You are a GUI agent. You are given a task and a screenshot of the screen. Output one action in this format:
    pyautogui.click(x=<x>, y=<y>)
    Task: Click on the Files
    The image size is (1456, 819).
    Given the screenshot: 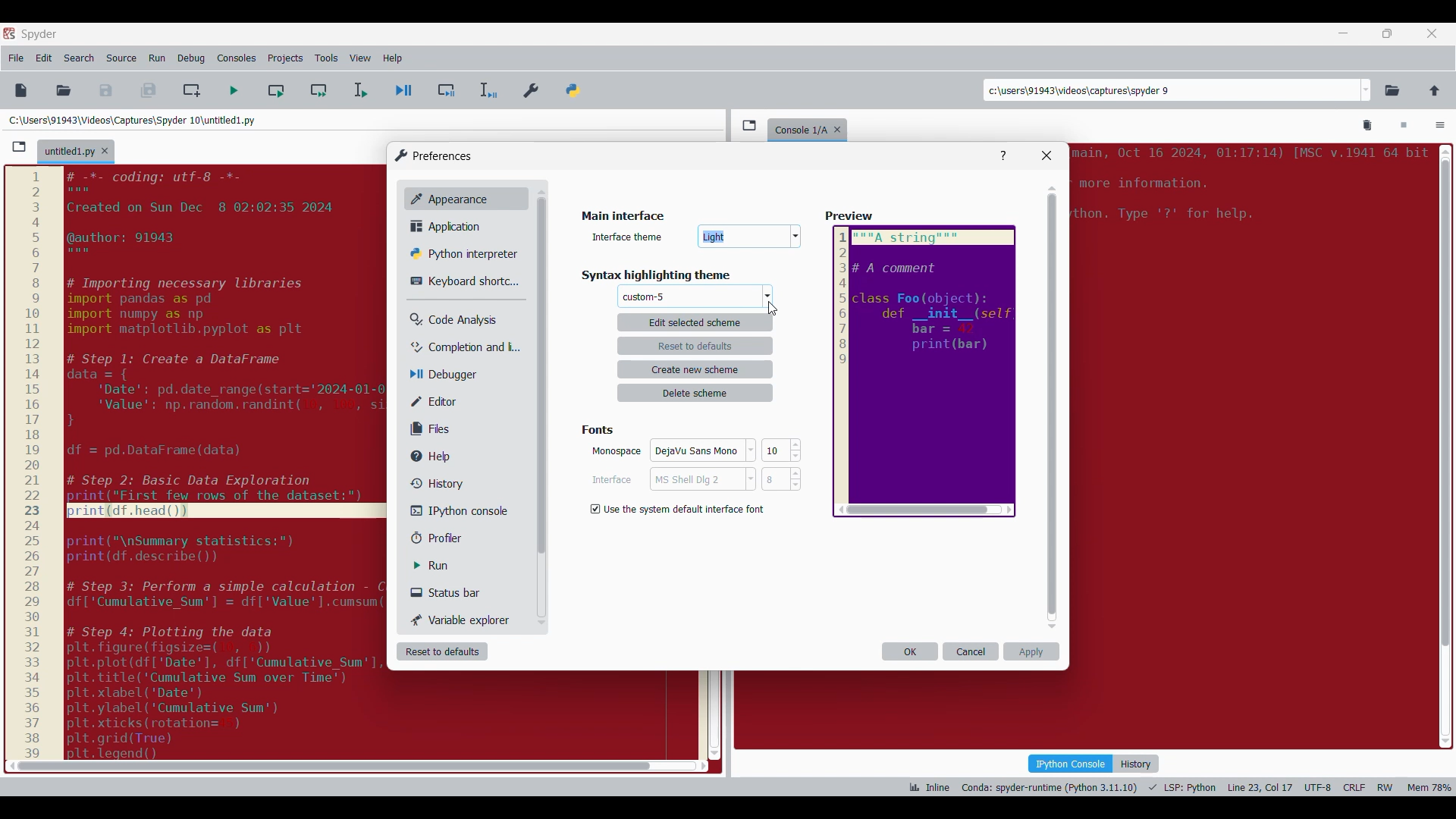 What is the action you would take?
    pyautogui.click(x=434, y=428)
    